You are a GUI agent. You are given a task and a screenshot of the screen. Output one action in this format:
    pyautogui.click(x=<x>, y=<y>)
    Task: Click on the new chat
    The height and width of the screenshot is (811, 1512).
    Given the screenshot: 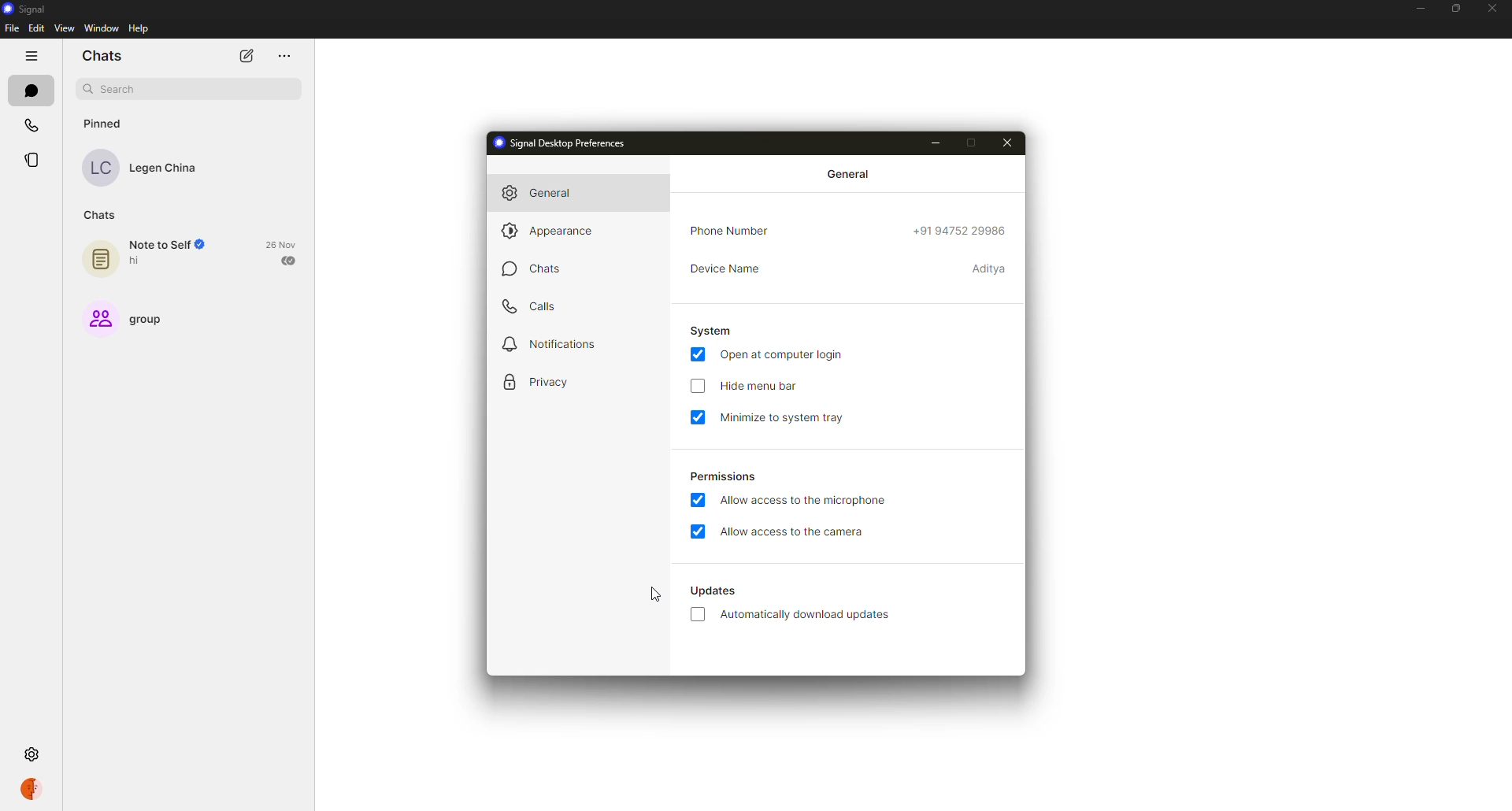 What is the action you would take?
    pyautogui.click(x=246, y=57)
    